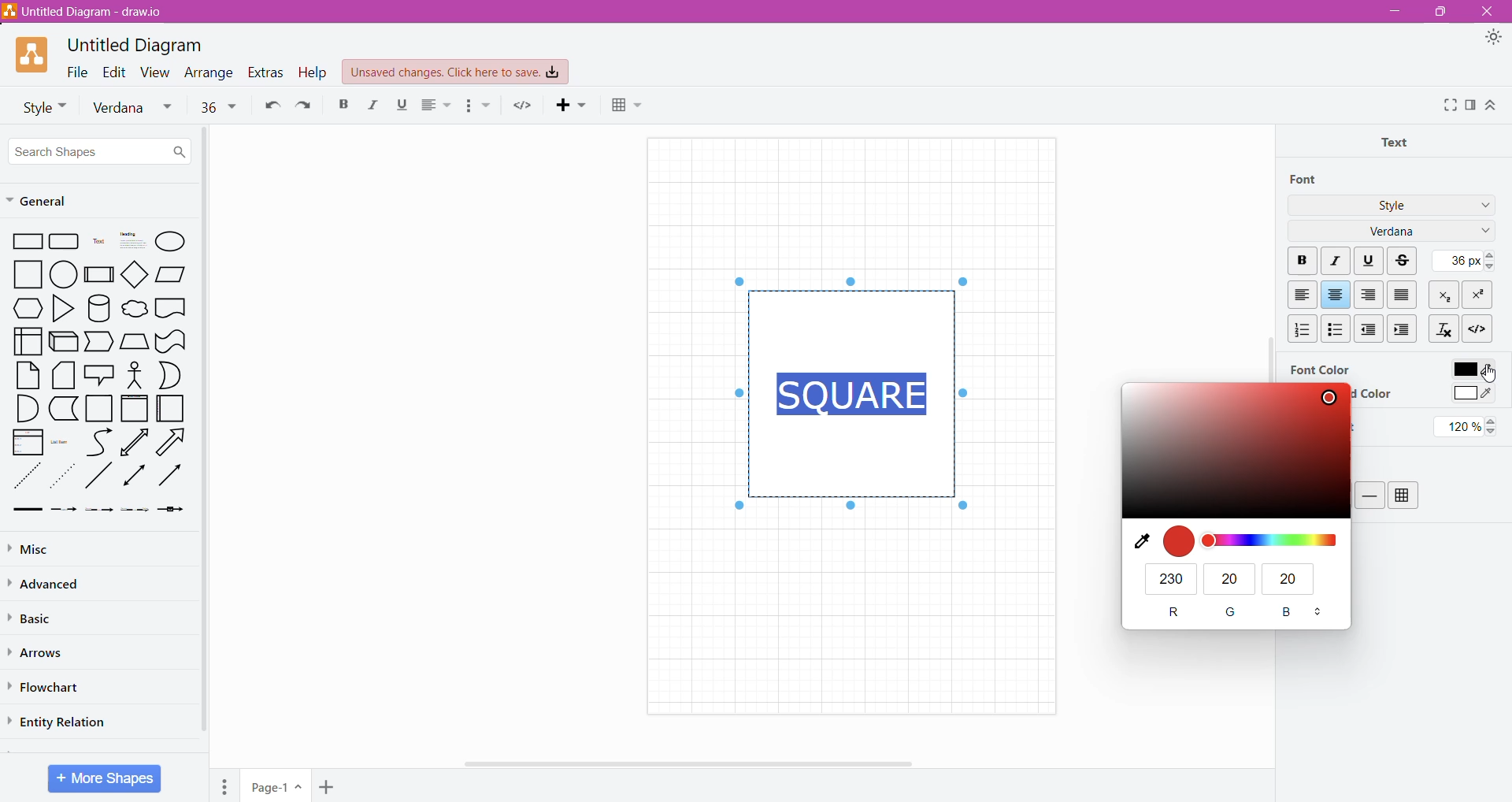 The image size is (1512, 802). What do you see at coordinates (77, 71) in the screenshot?
I see `File` at bounding box center [77, 71].